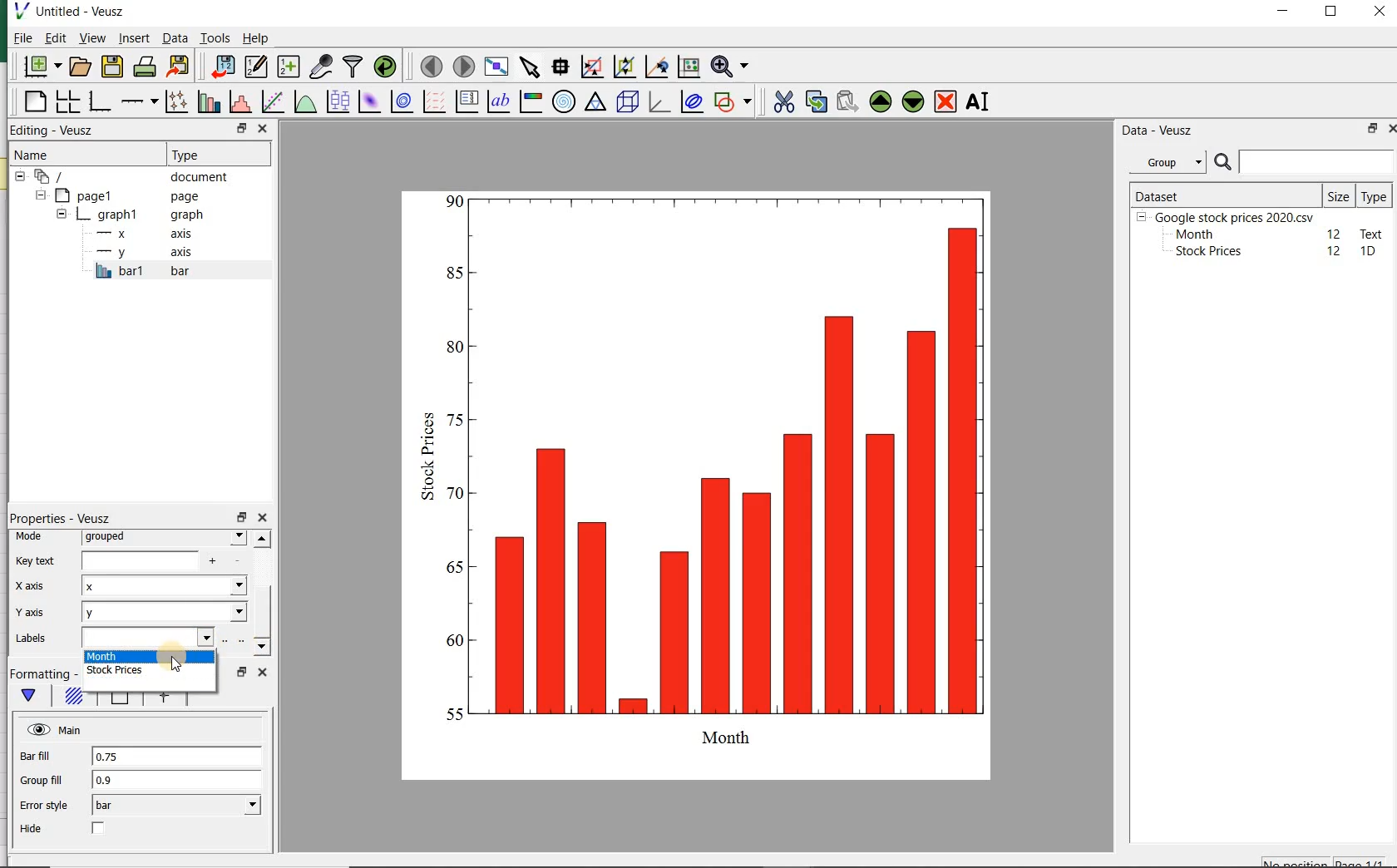 This screenshot has width=1397, height=868. I want to click on stock prices, so click(144, 673).